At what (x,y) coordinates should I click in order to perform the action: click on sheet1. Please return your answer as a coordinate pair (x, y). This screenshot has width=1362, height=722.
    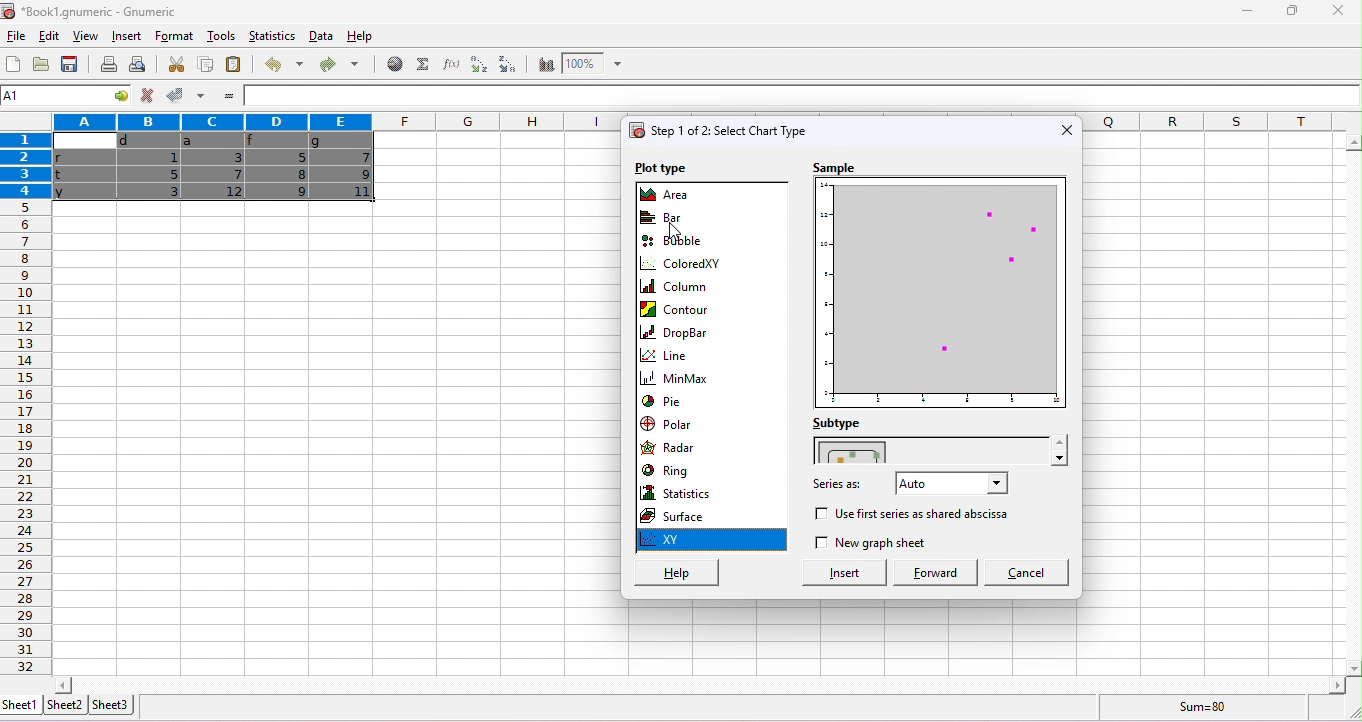
    Looking at the image, I should click on (20, 704).